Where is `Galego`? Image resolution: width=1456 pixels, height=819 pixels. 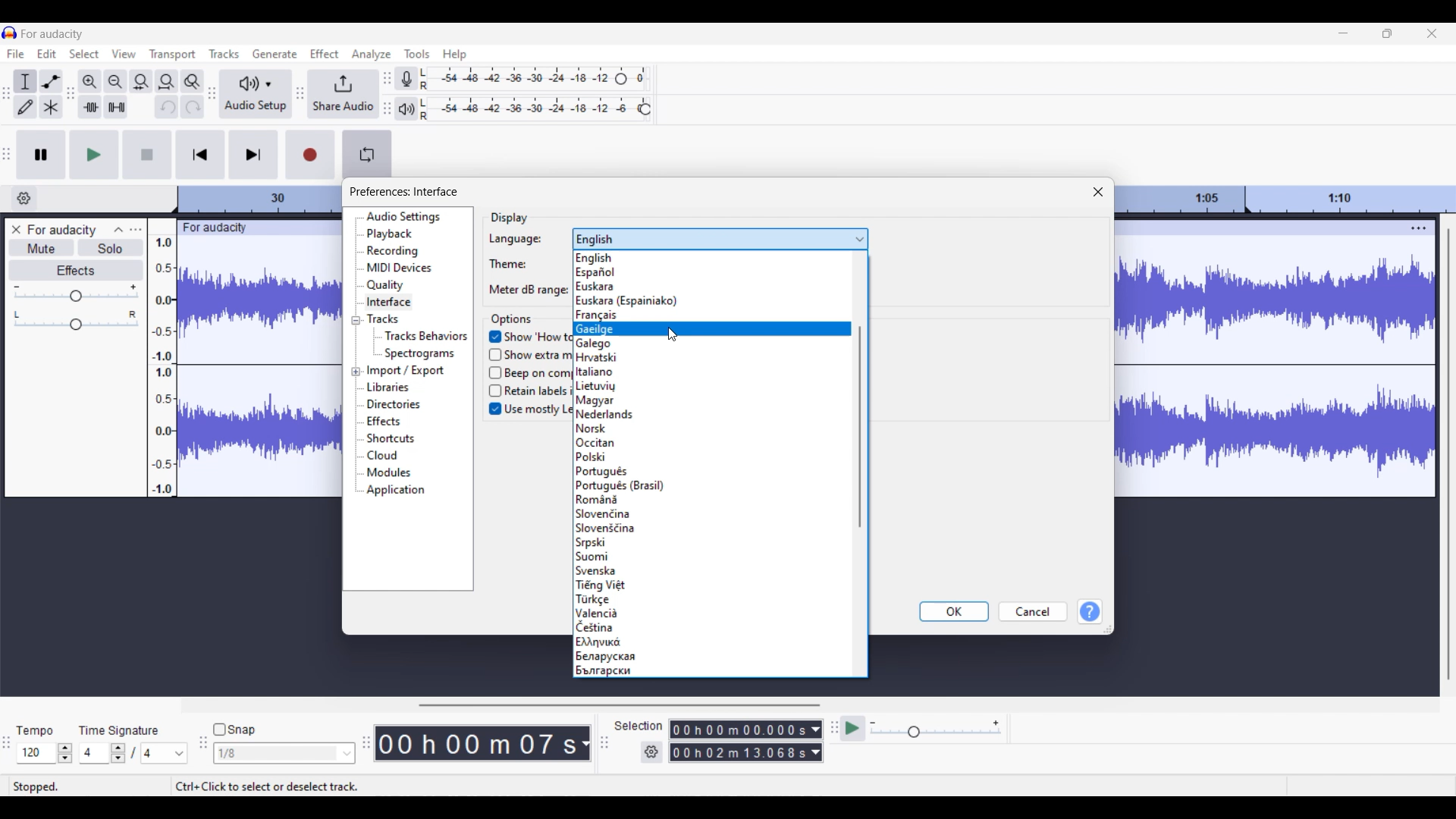
Galego is located at coordinates (596, 342).